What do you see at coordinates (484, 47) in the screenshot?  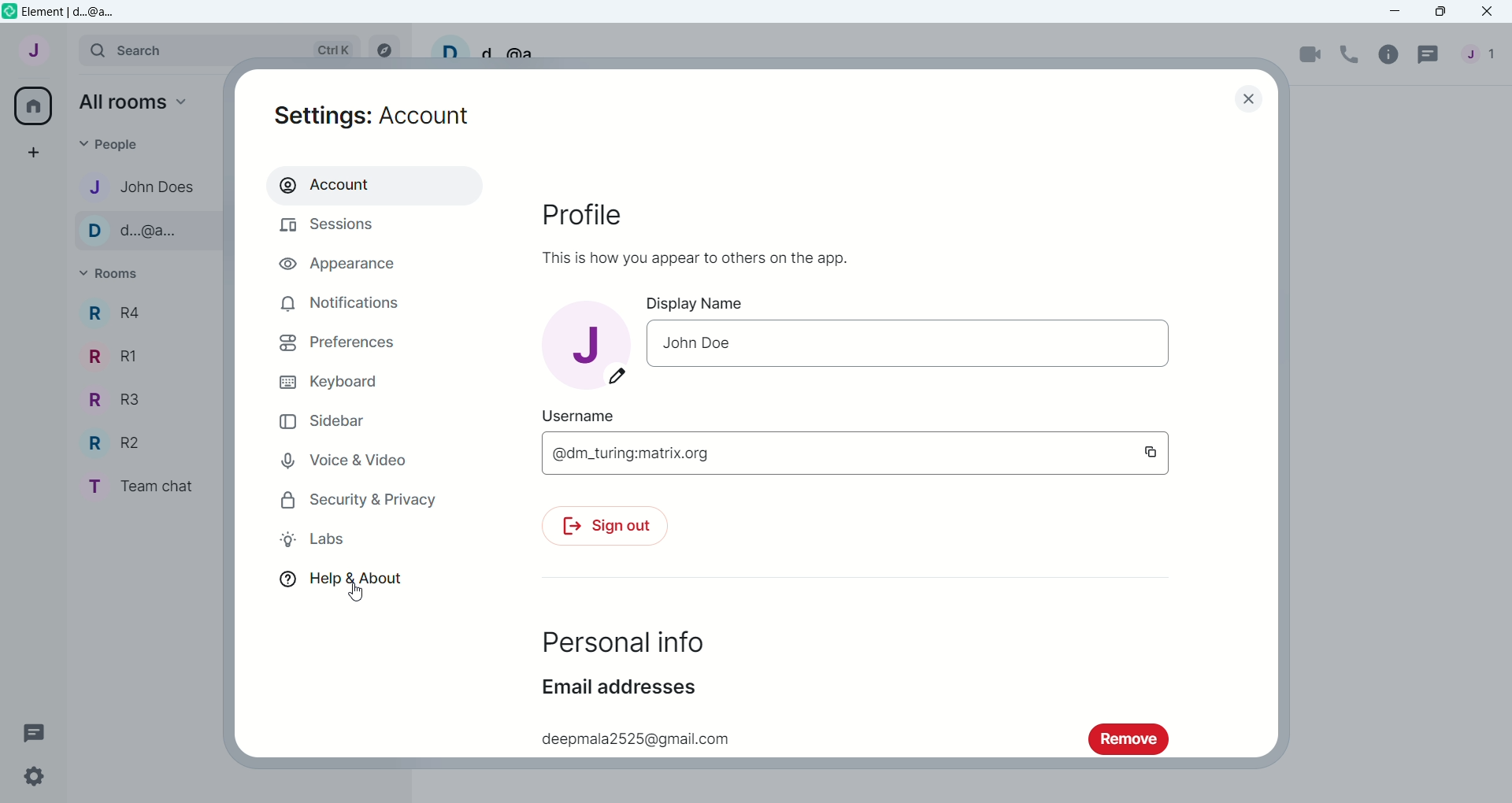 I see `Username` at bounding box center [484, 47].